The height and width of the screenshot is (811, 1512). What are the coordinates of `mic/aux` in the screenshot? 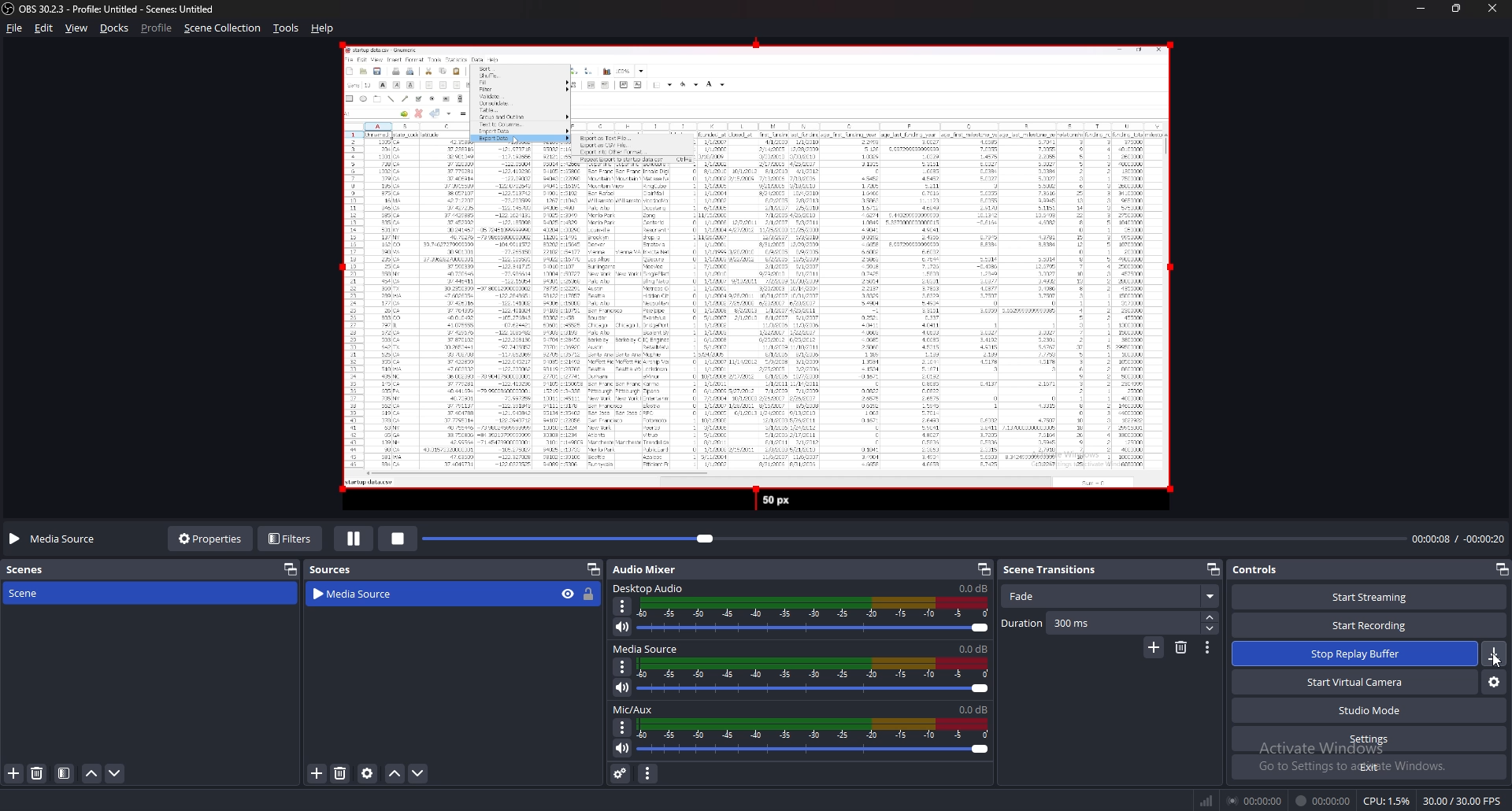 It's located at (633, 709).